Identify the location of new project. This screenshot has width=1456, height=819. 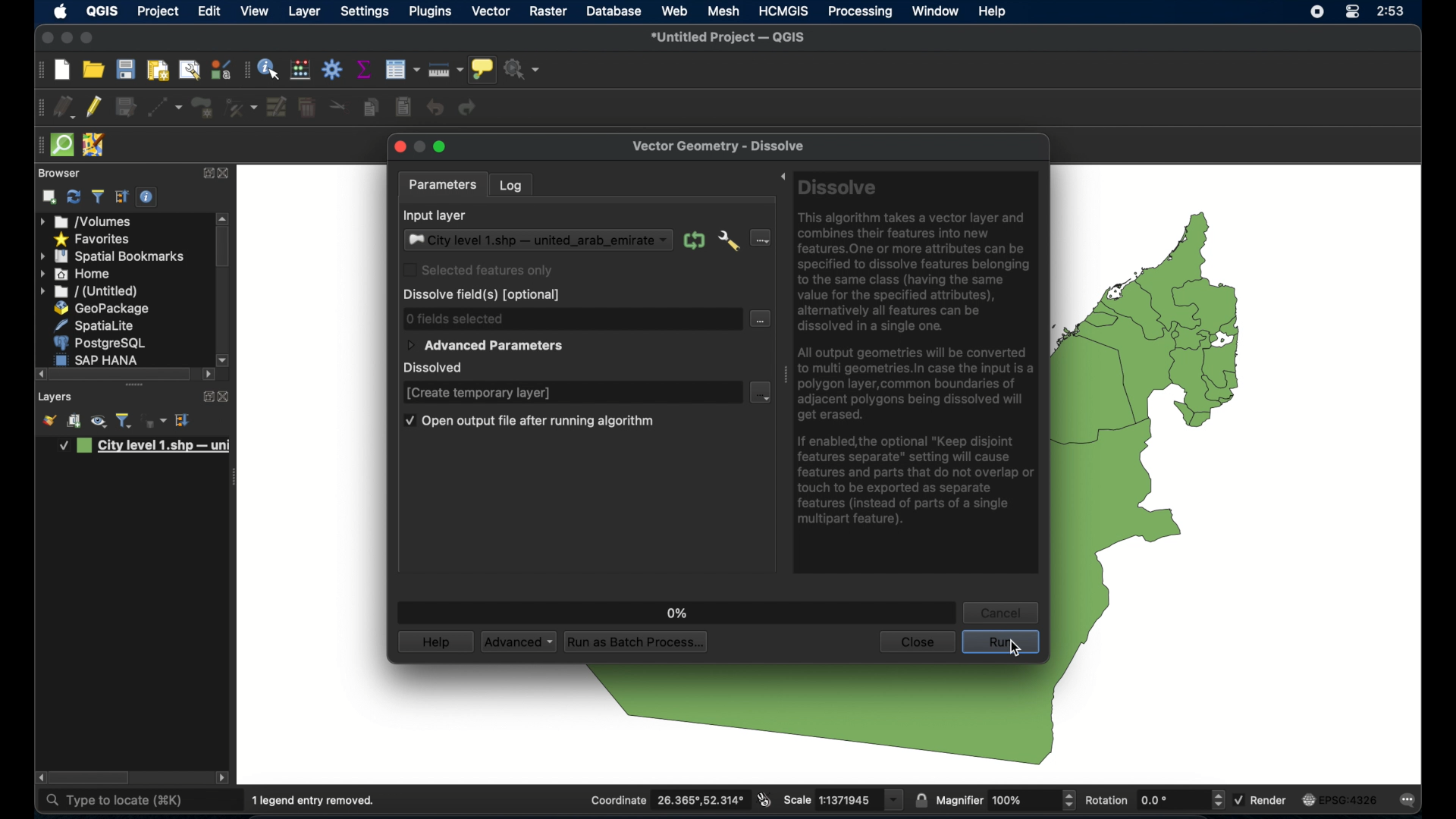
(63, 71).